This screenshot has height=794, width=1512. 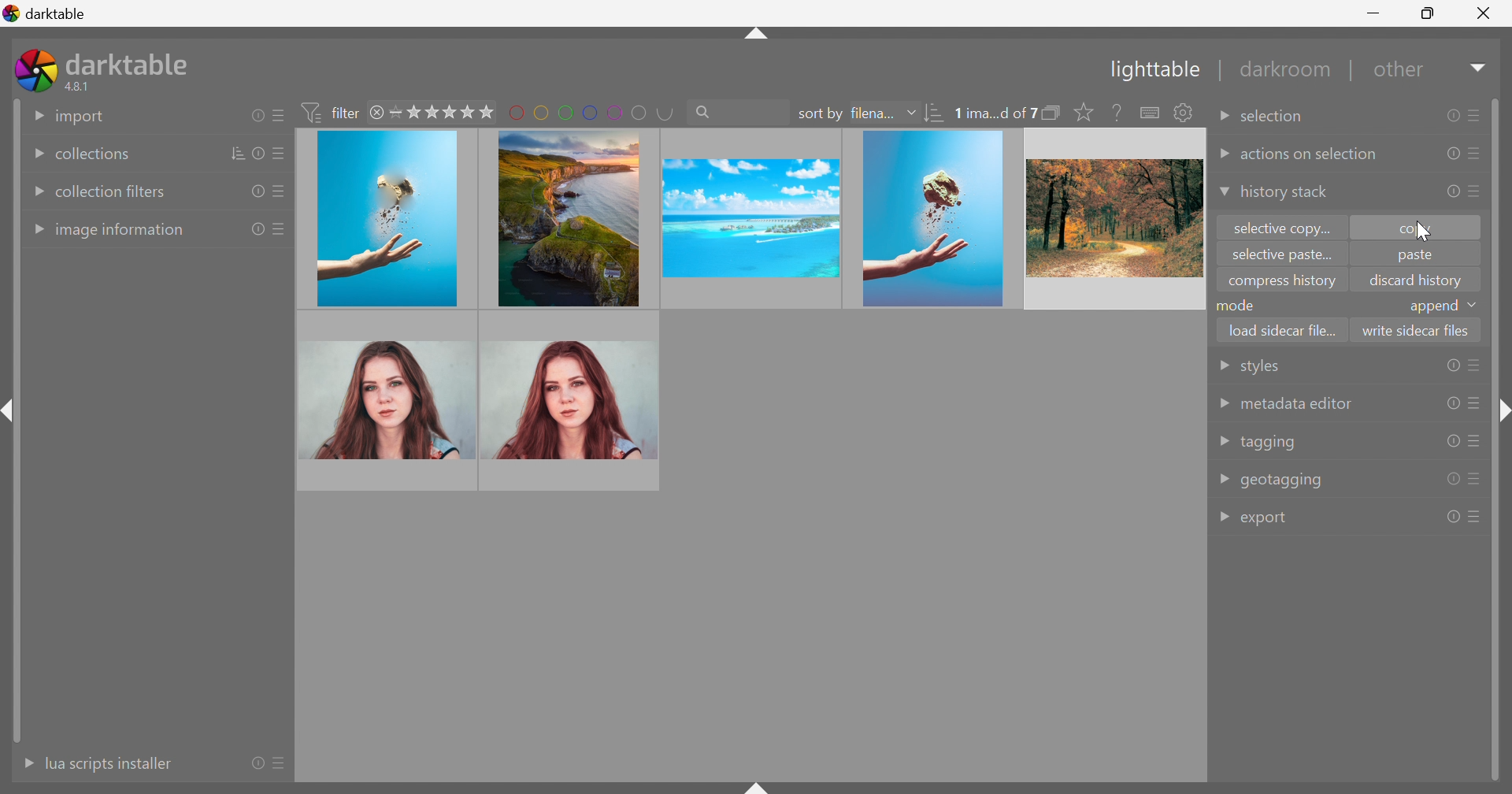 What do you see at coordinates (1423, 228) in the screenshot?
I see `copy` at bounding box center [1423, 228].